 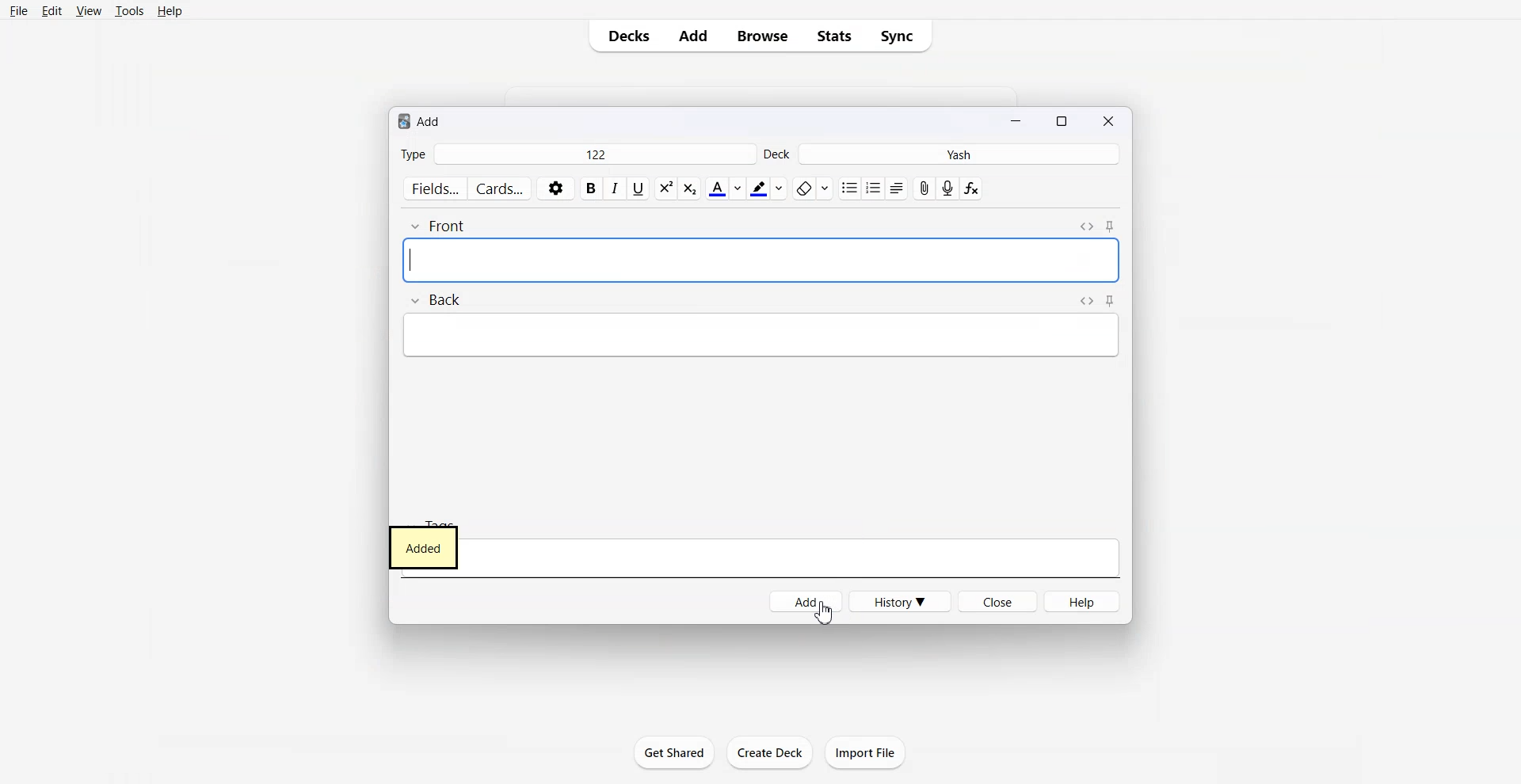 What do you see at coordinates (813, 188) in the screenshot?
I see `Remove format` at bounding box center [813, 188].